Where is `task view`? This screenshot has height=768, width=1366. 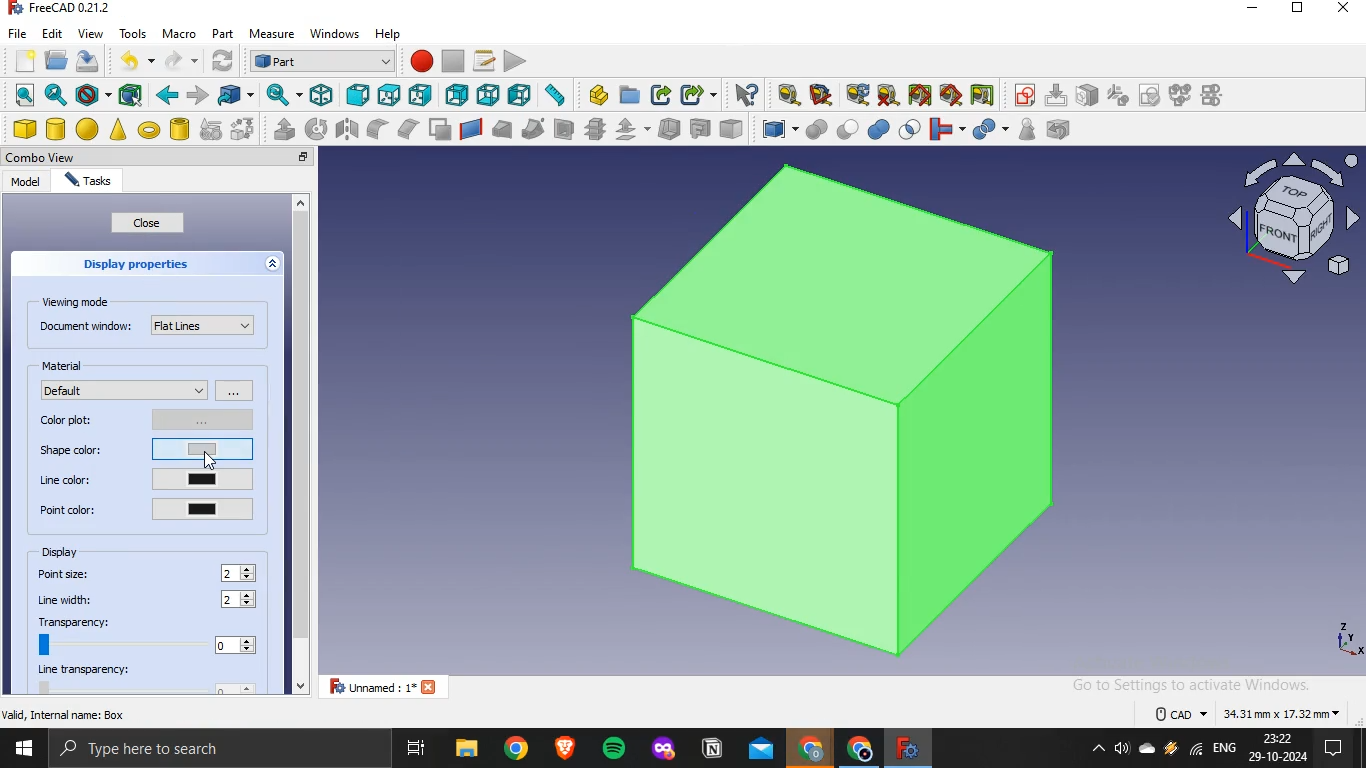
task view is located at coordinates (418, 749).